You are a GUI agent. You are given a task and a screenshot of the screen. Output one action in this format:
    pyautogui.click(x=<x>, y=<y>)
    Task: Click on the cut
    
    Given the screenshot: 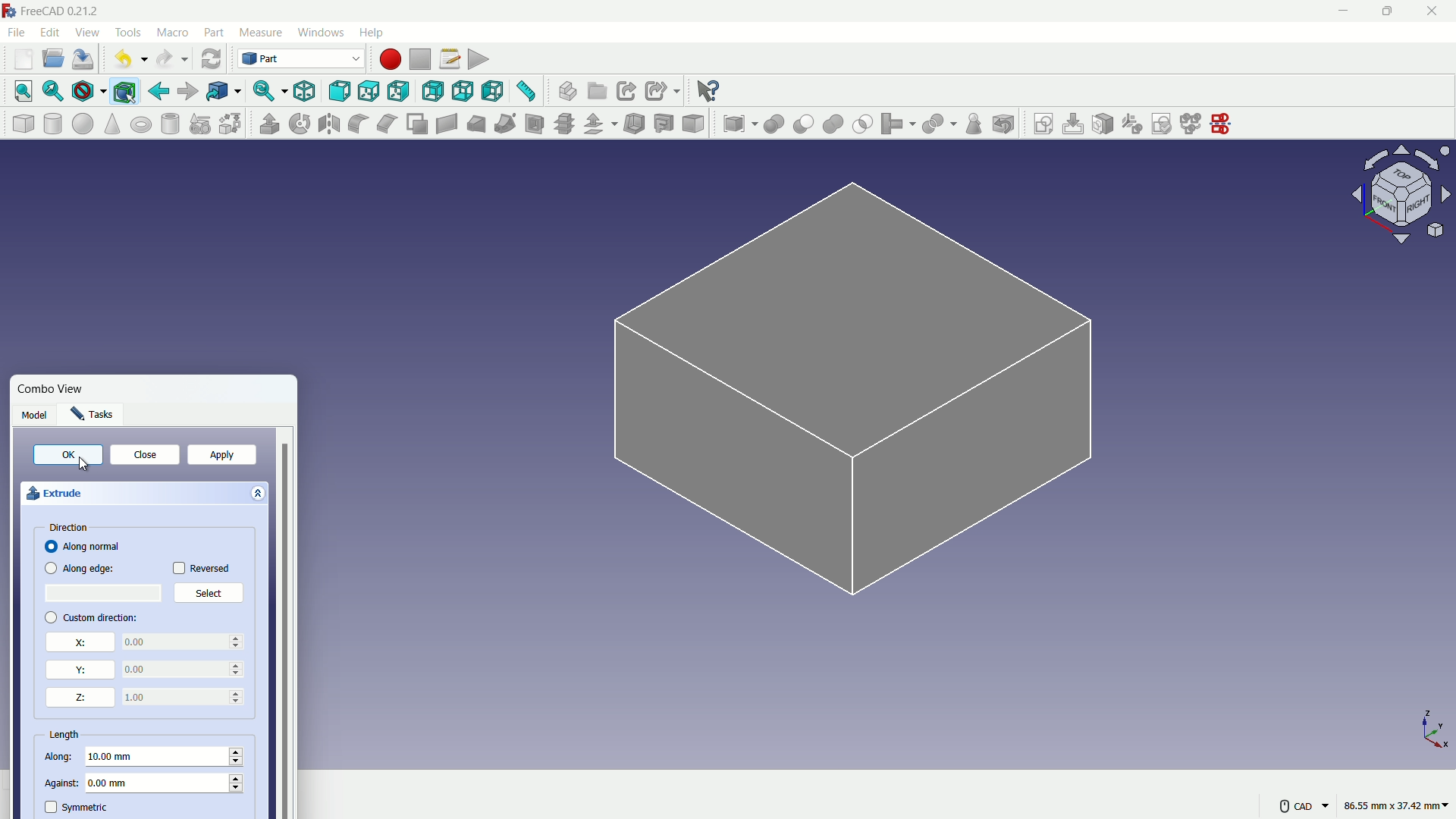 What is the action you would take?
    pyautogui.click(x=803, y=124)
    